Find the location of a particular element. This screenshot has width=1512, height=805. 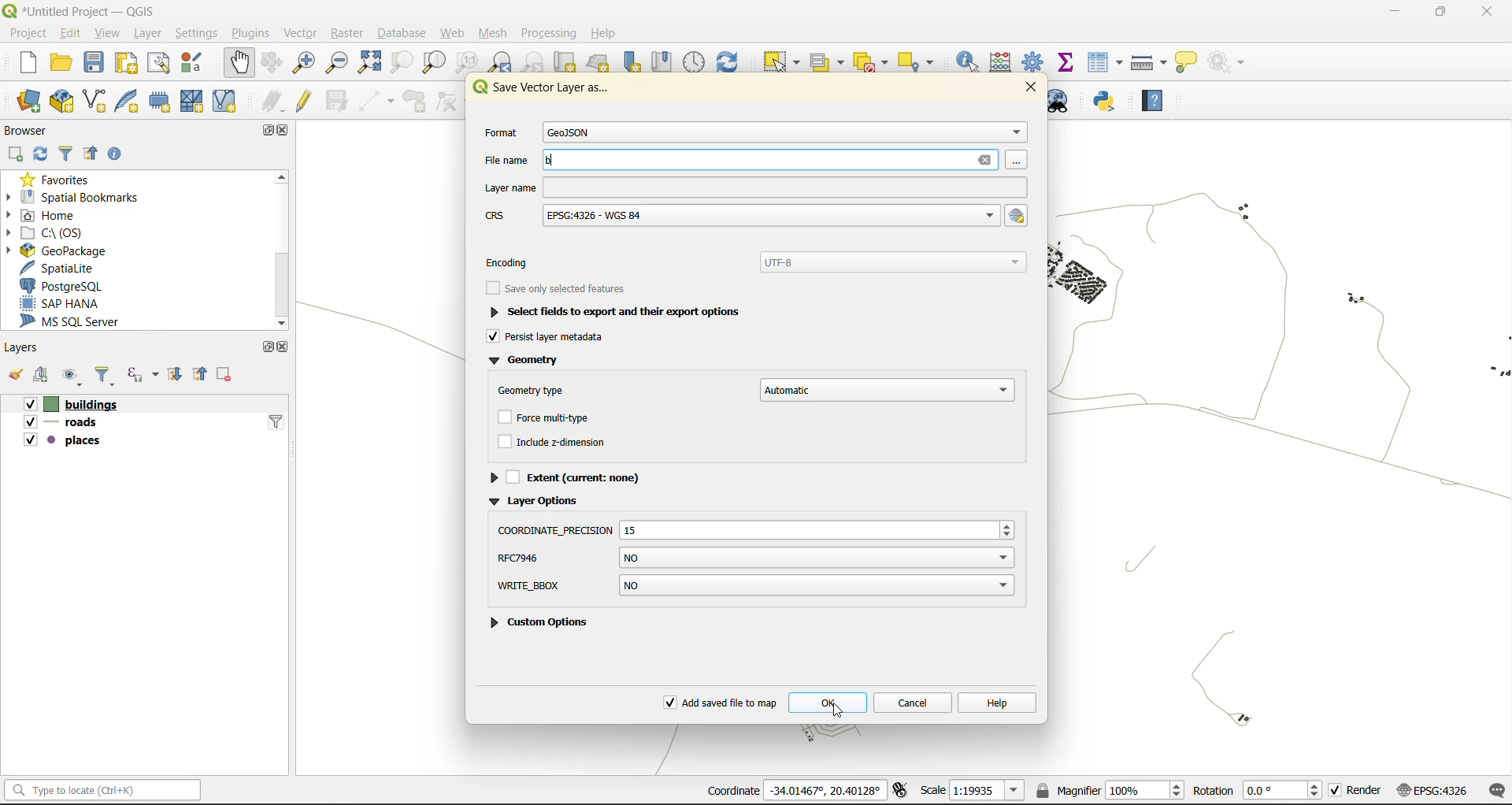

select value is located at coordinates (828, 62).